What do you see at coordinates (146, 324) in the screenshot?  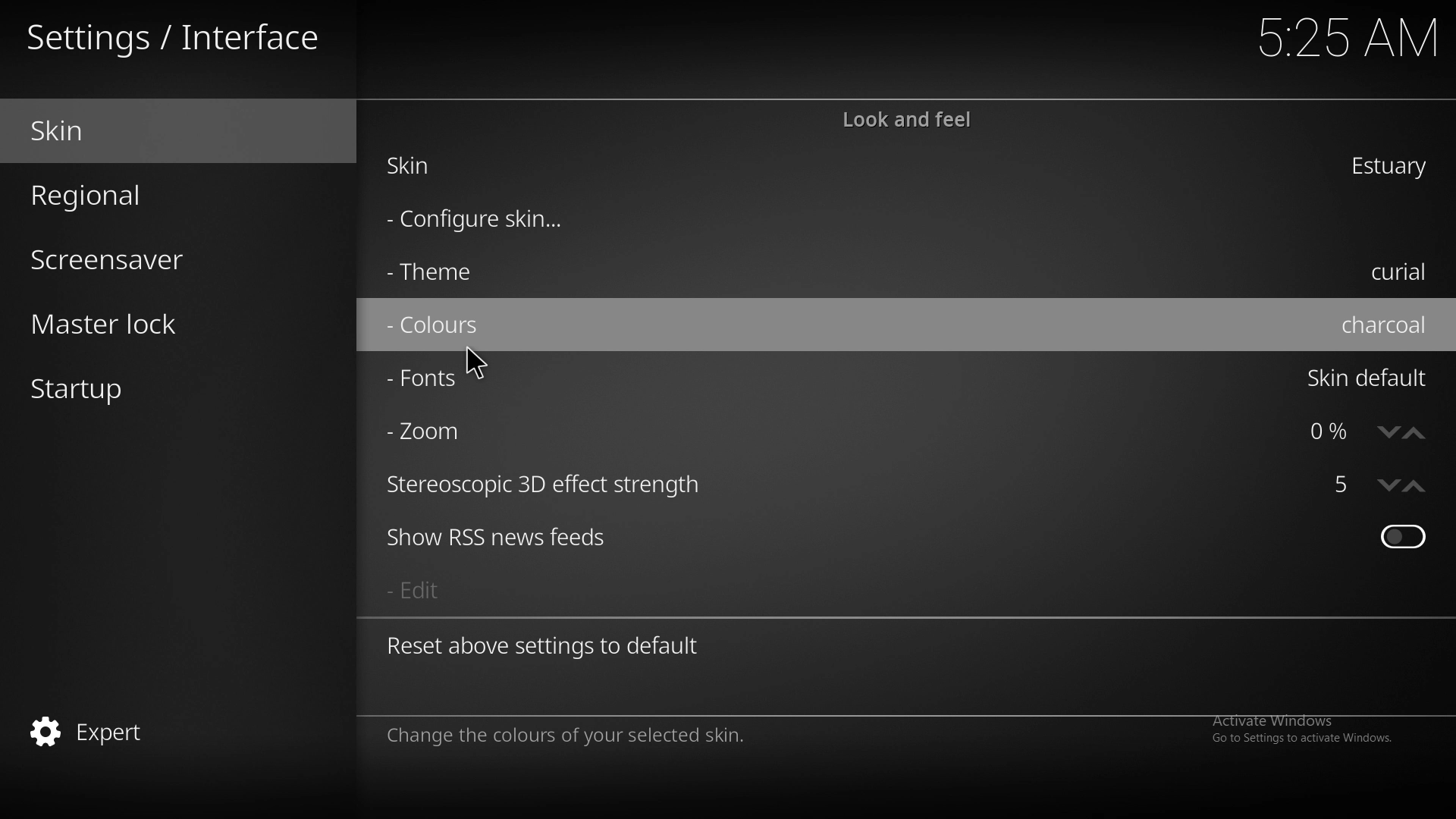 I see `master lock` at bounding box center [146, 324].